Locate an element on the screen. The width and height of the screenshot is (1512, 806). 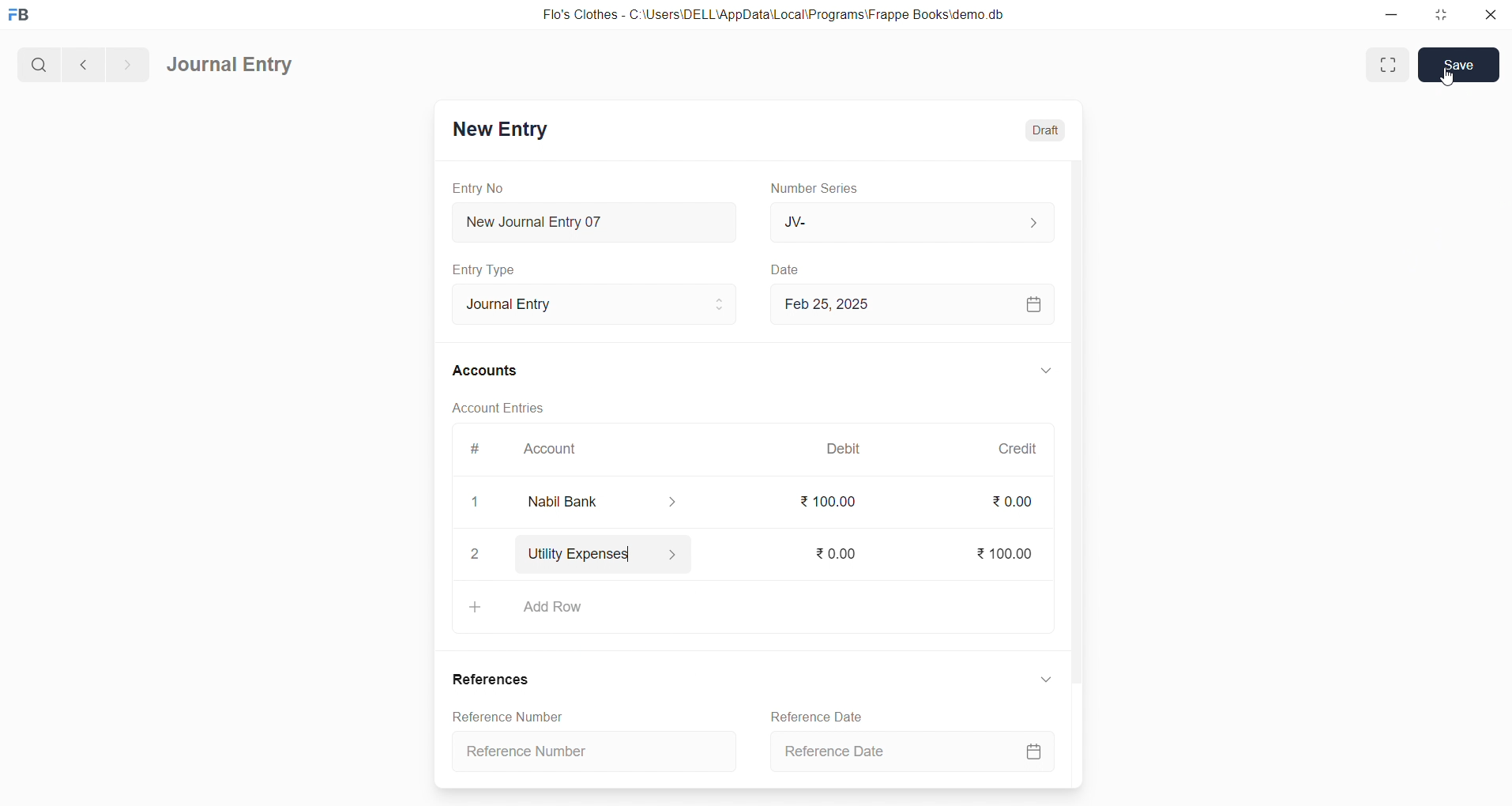
Reference Number is located at coordinates (502, 716).